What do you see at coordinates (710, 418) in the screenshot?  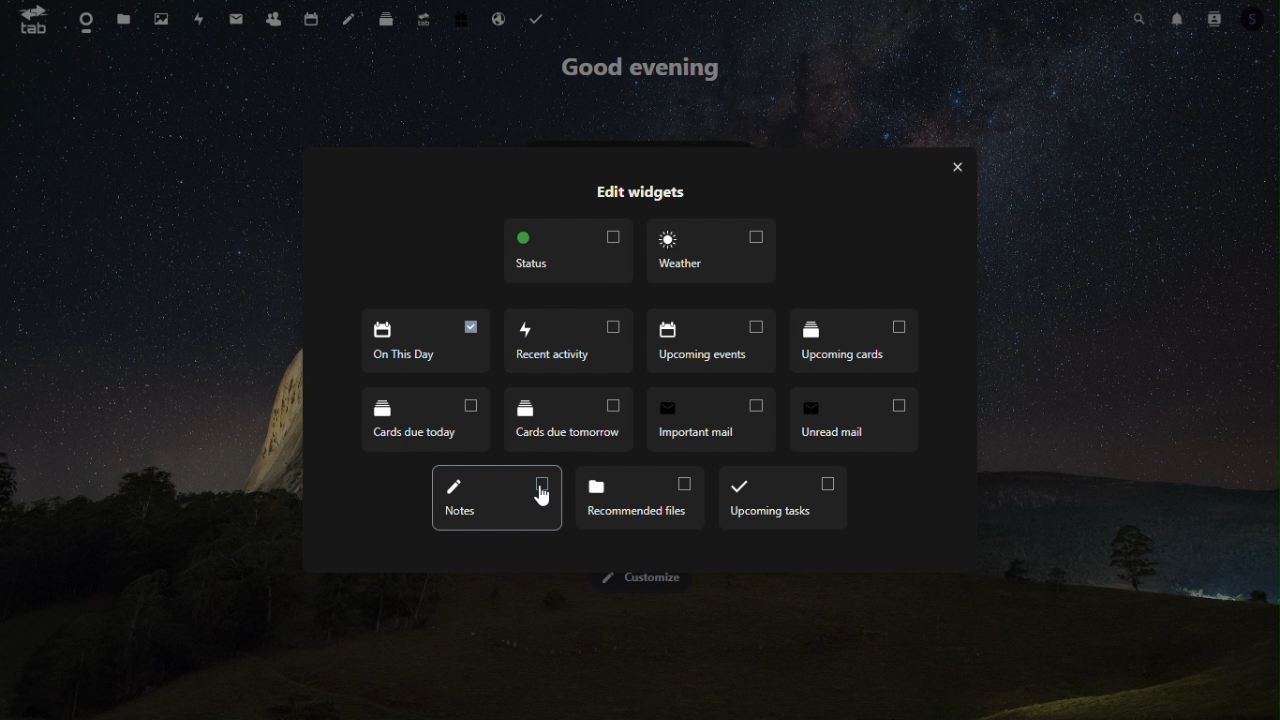 I see `unread mails` at bounding box center [710, 418].